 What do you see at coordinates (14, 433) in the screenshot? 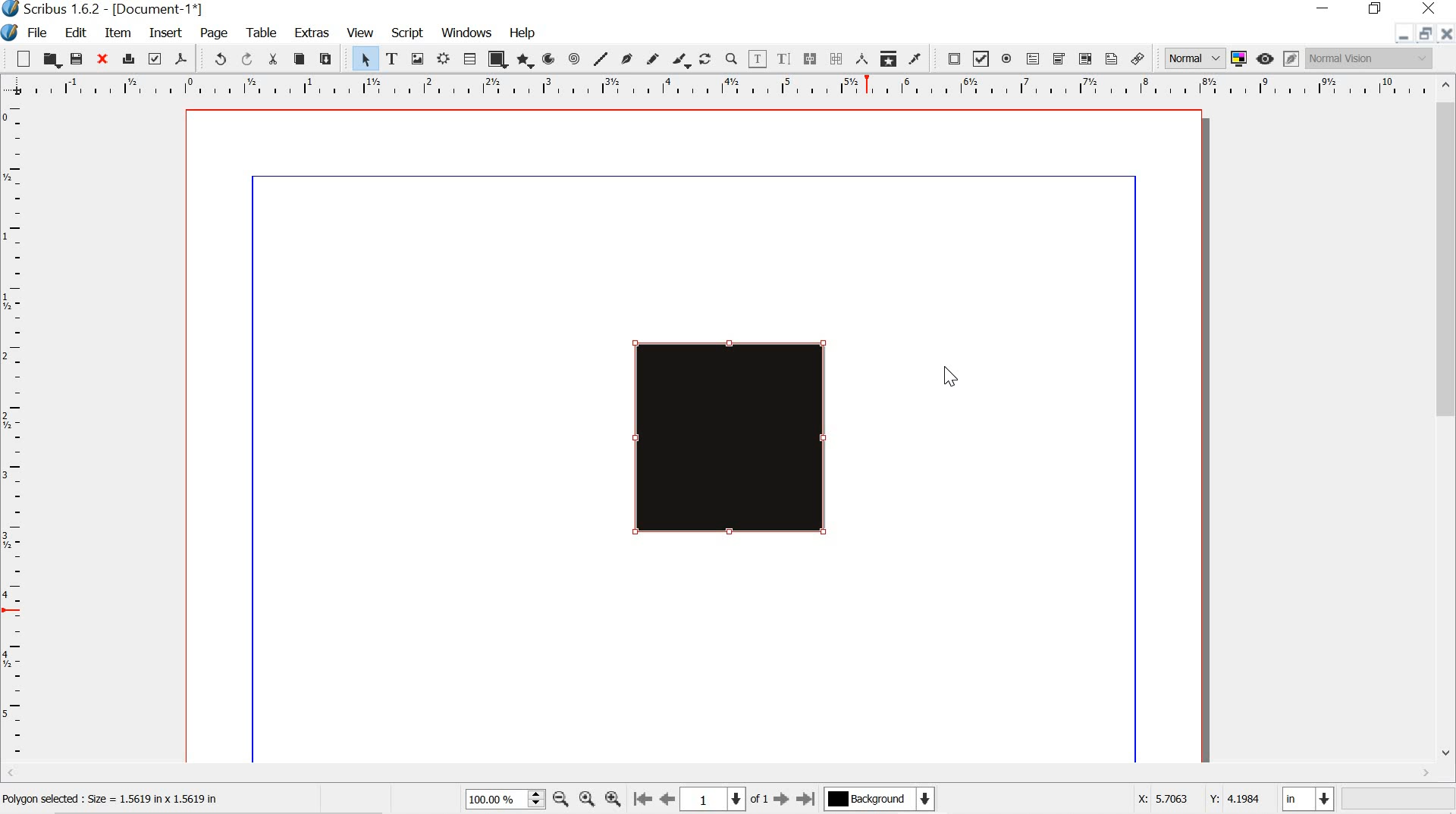
I see `ruler` at bounding box center [14, 433].